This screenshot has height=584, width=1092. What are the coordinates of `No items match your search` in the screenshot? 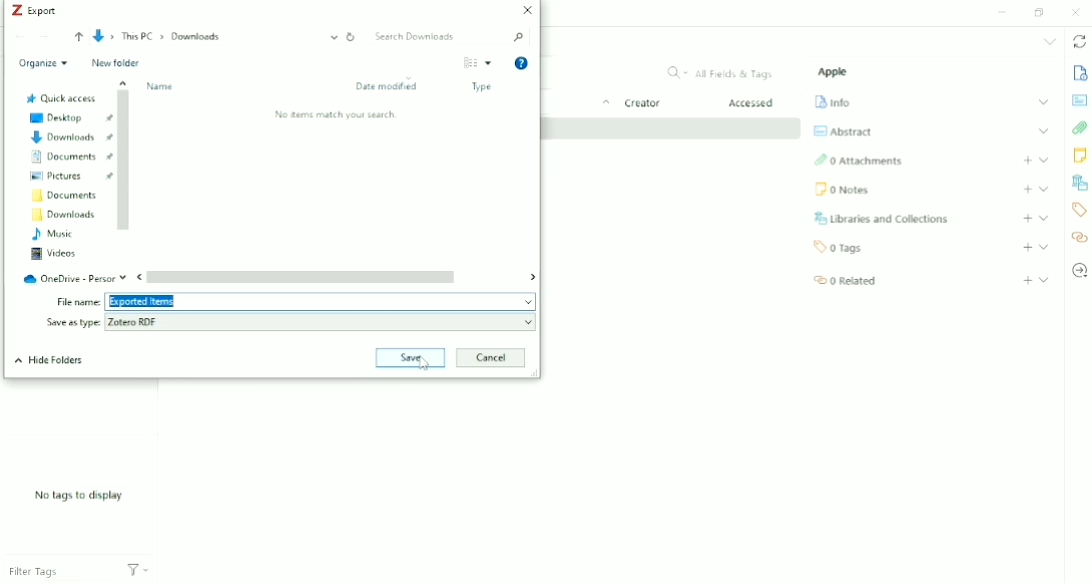 It's located at (335, 115).